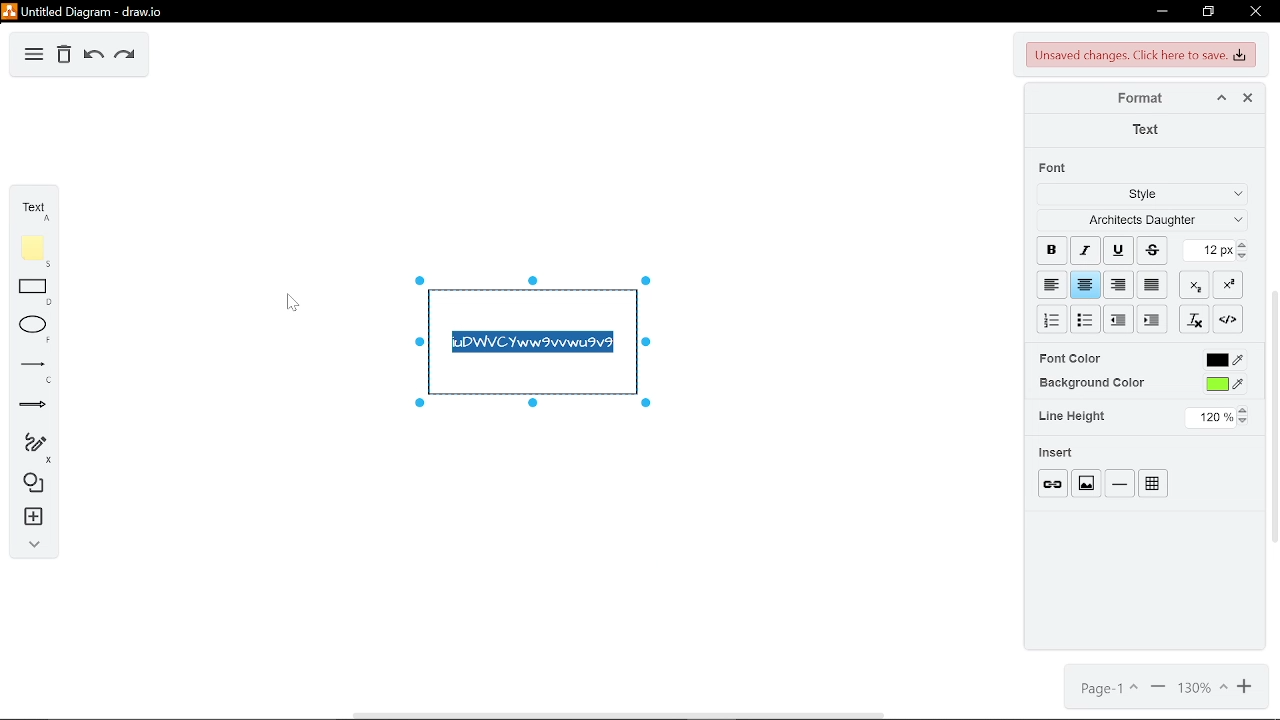  I want to click on Untitled Diagram-Draw.io, so click(86, 11).